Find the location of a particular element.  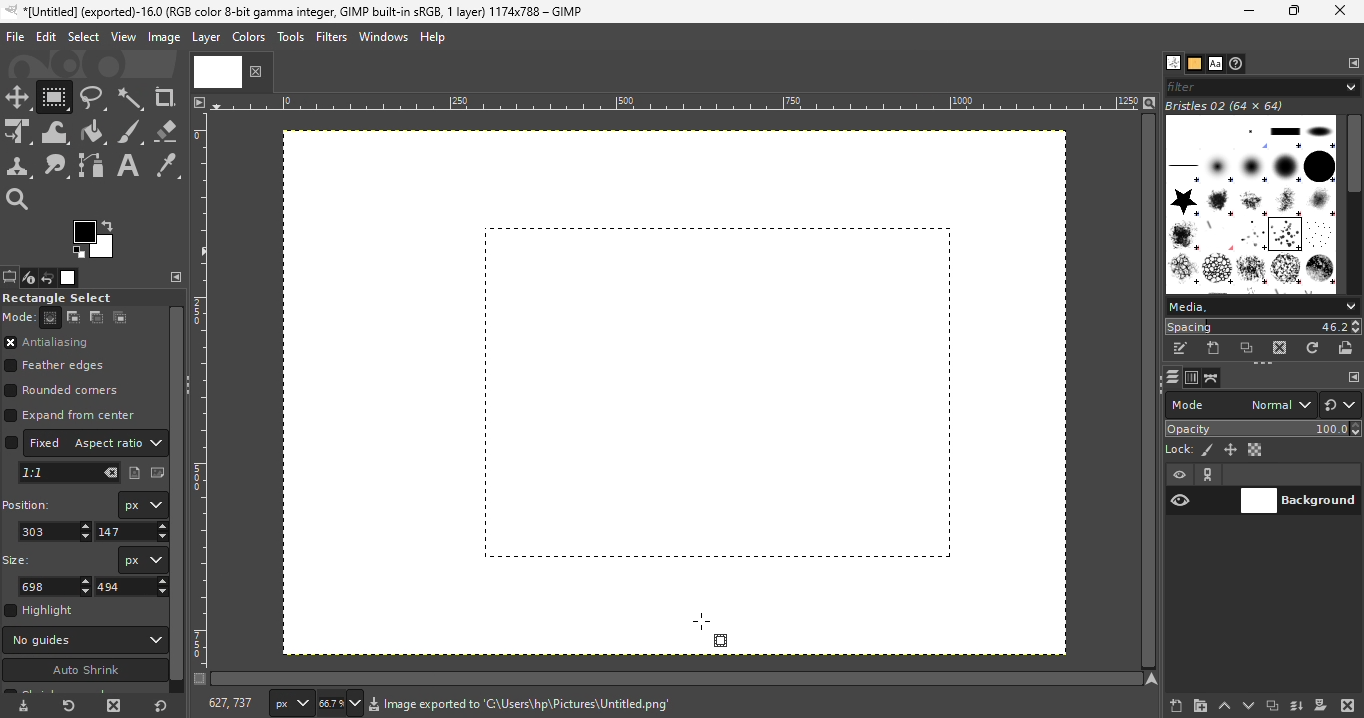

Expand from the center is located at coordinates (75, 415).